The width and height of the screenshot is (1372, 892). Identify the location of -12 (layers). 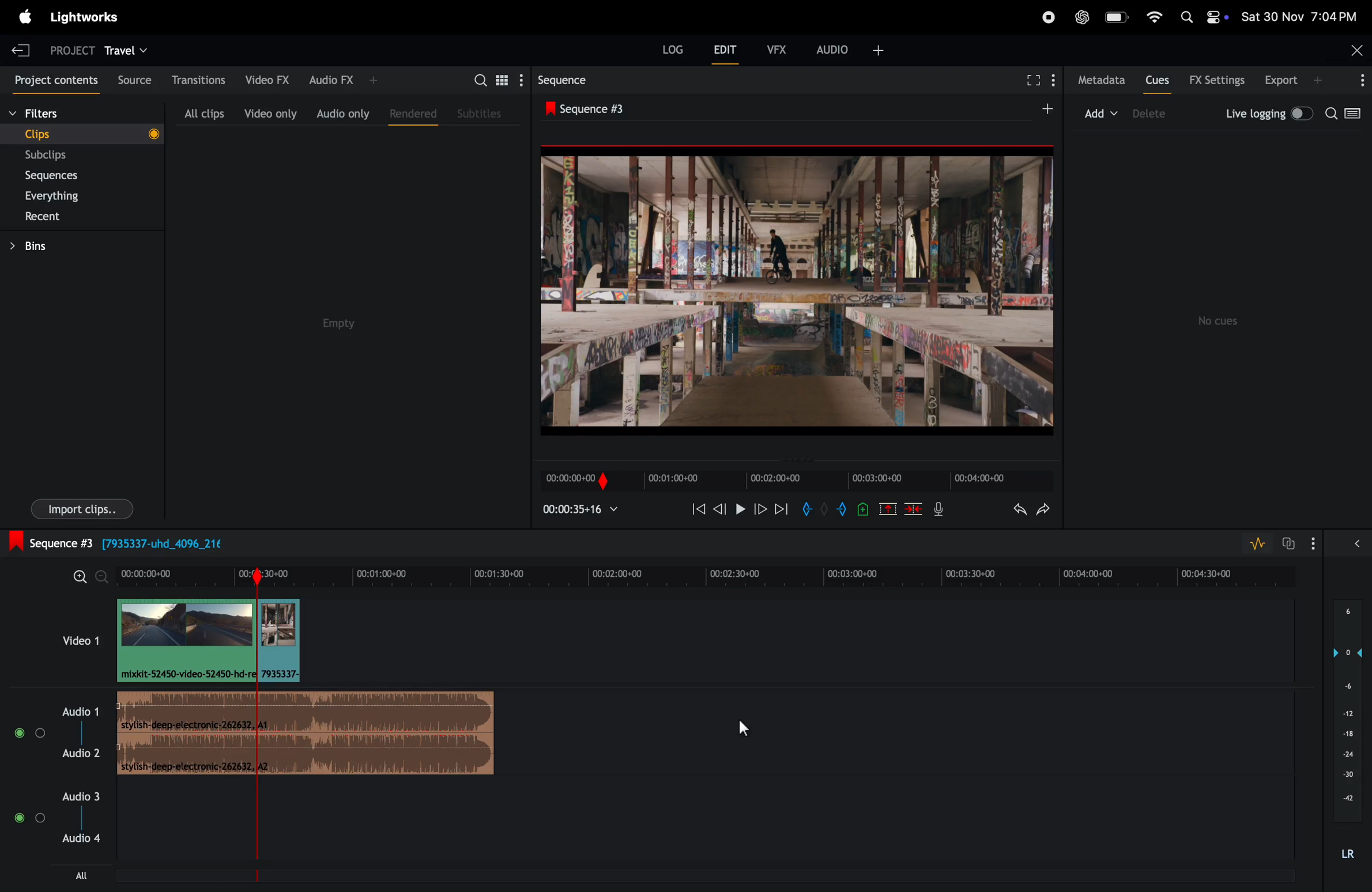
(1343, 713).